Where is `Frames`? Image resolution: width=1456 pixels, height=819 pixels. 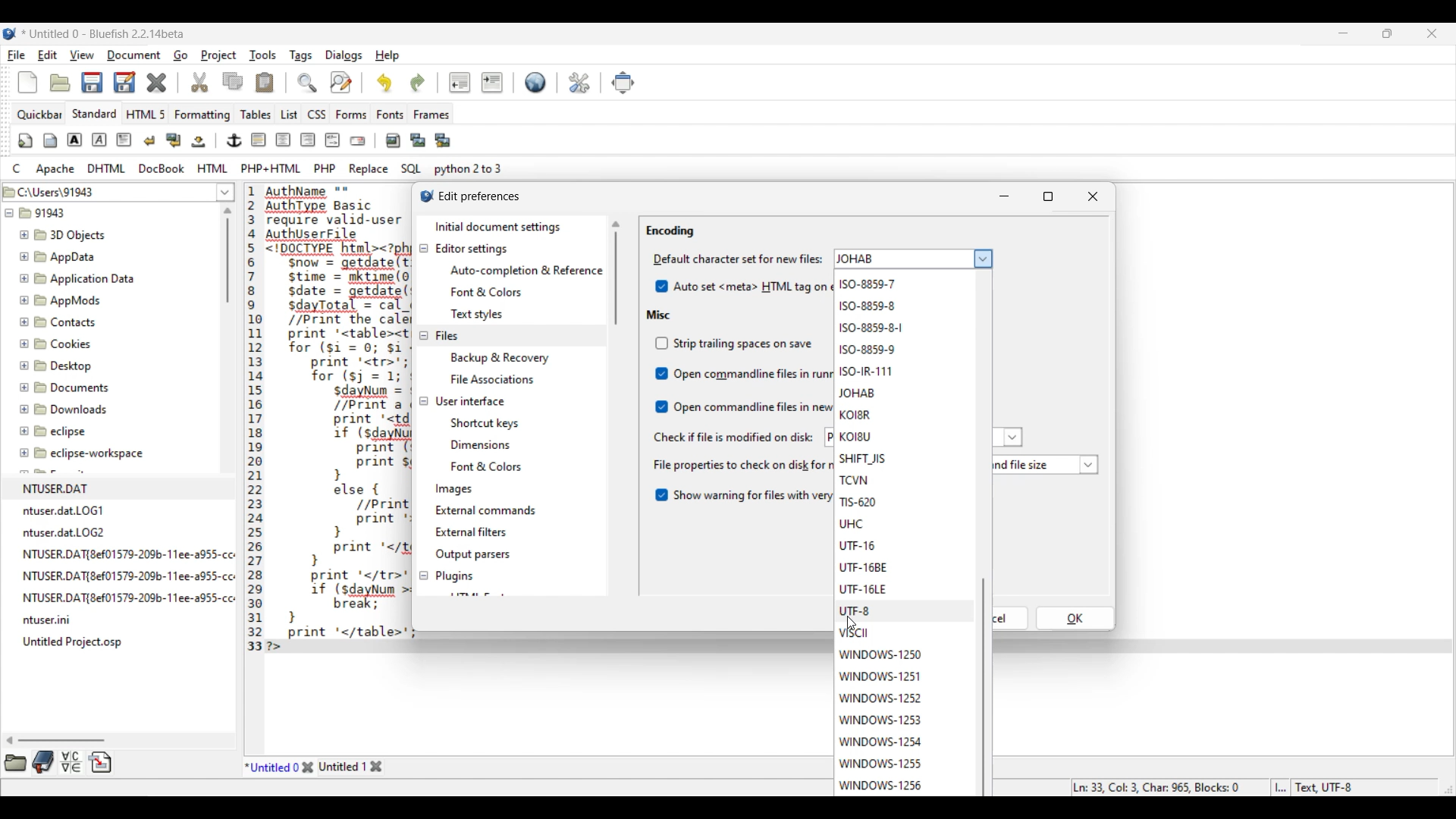
Frames is located at coordinates (432, 115).